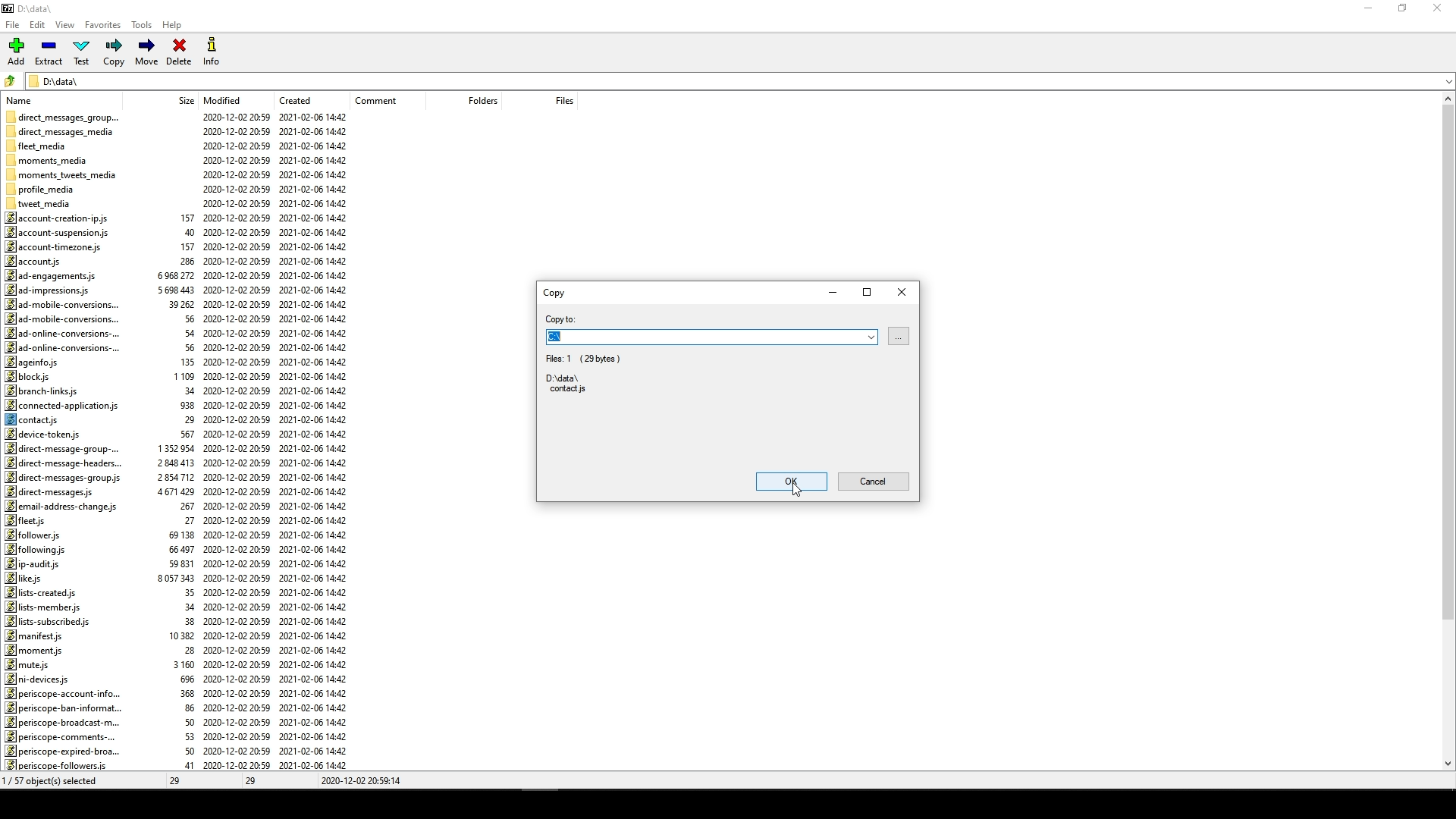 This screenshot has width=1456, height=819. I want to click on Copy, so click(554, 292).